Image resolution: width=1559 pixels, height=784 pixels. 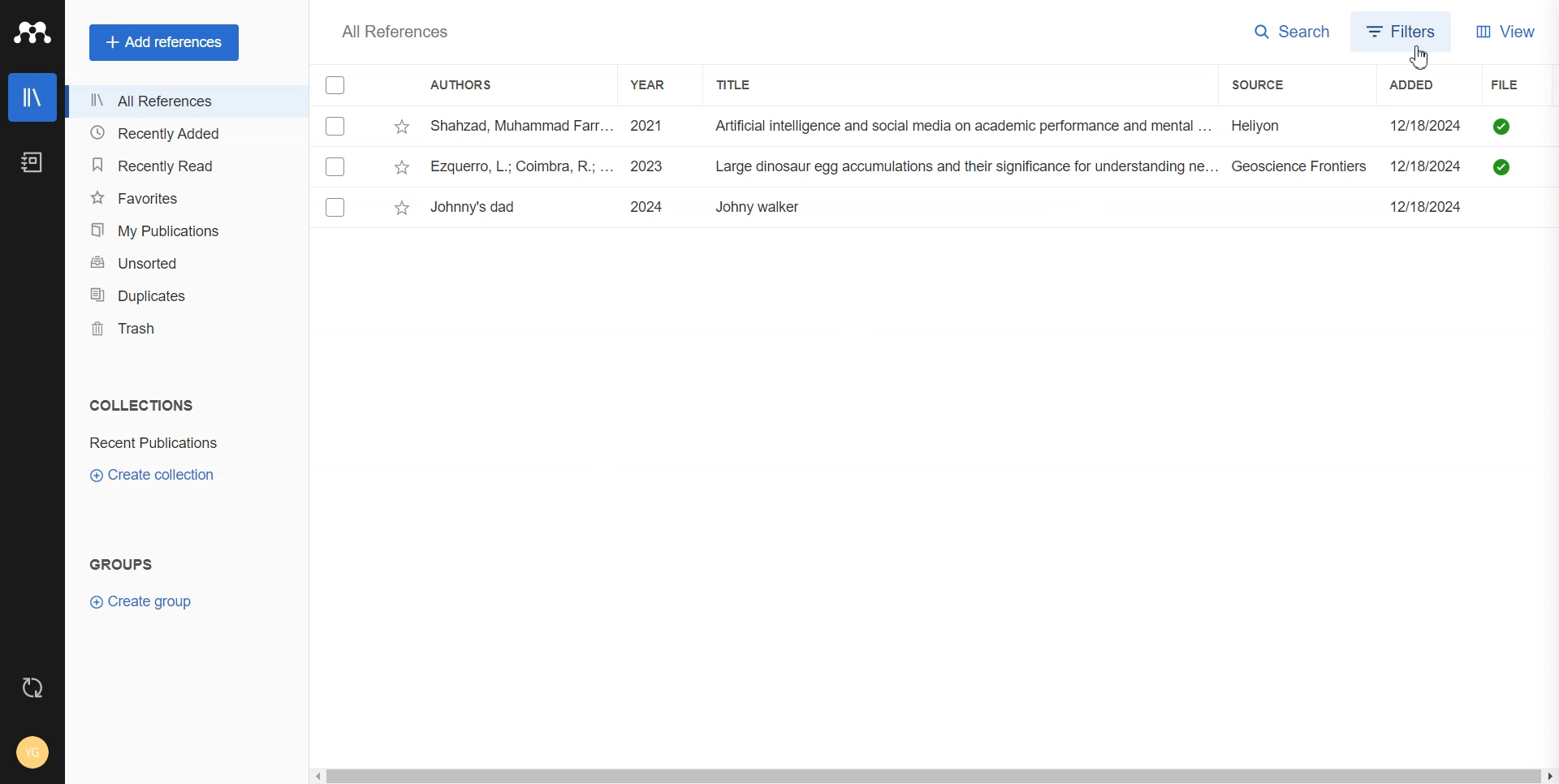 I want to click on scroll left, so click(x=317, y=777).